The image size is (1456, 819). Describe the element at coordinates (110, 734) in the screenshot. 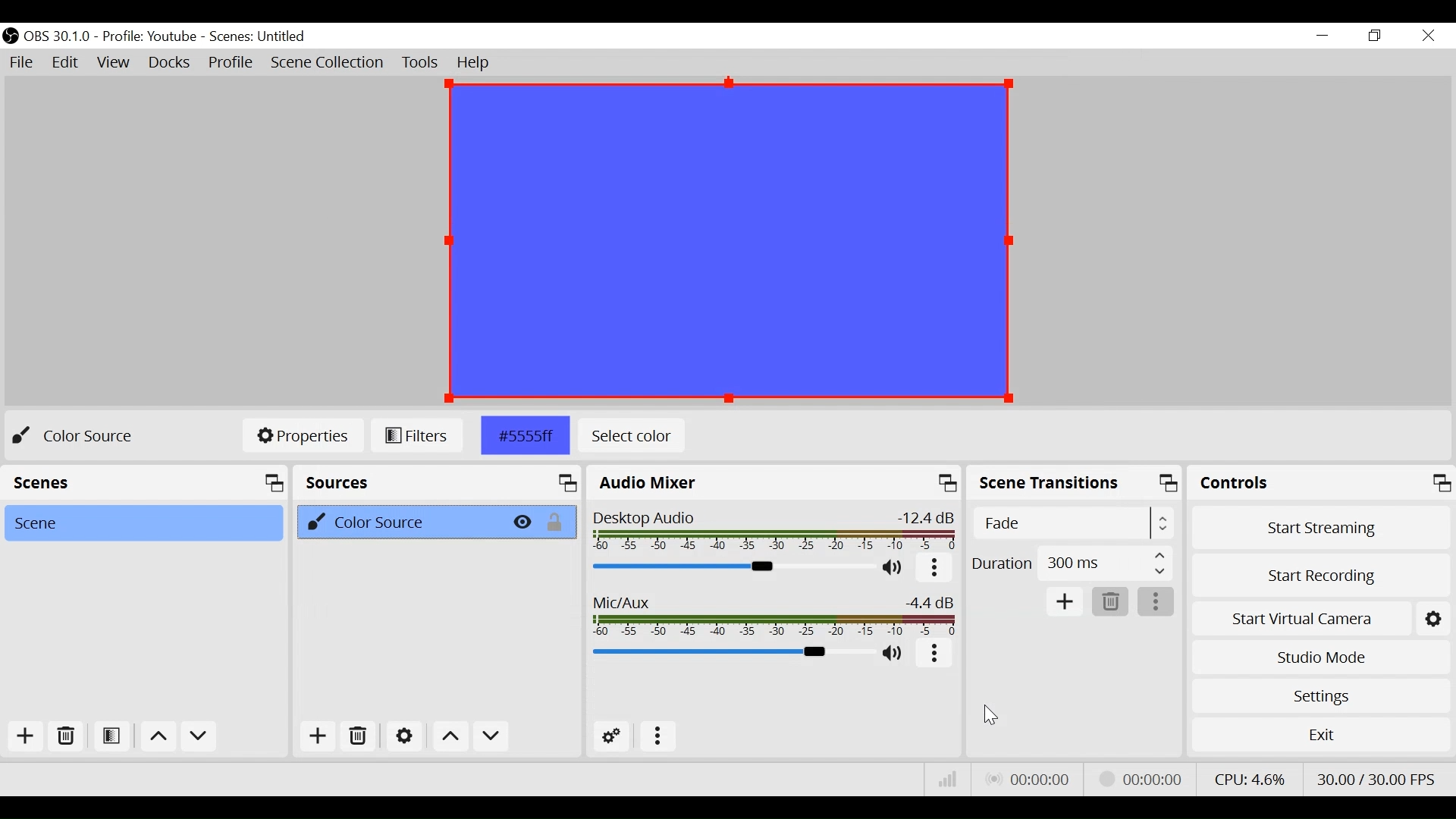

I see `Open Scene Filter` at that location.